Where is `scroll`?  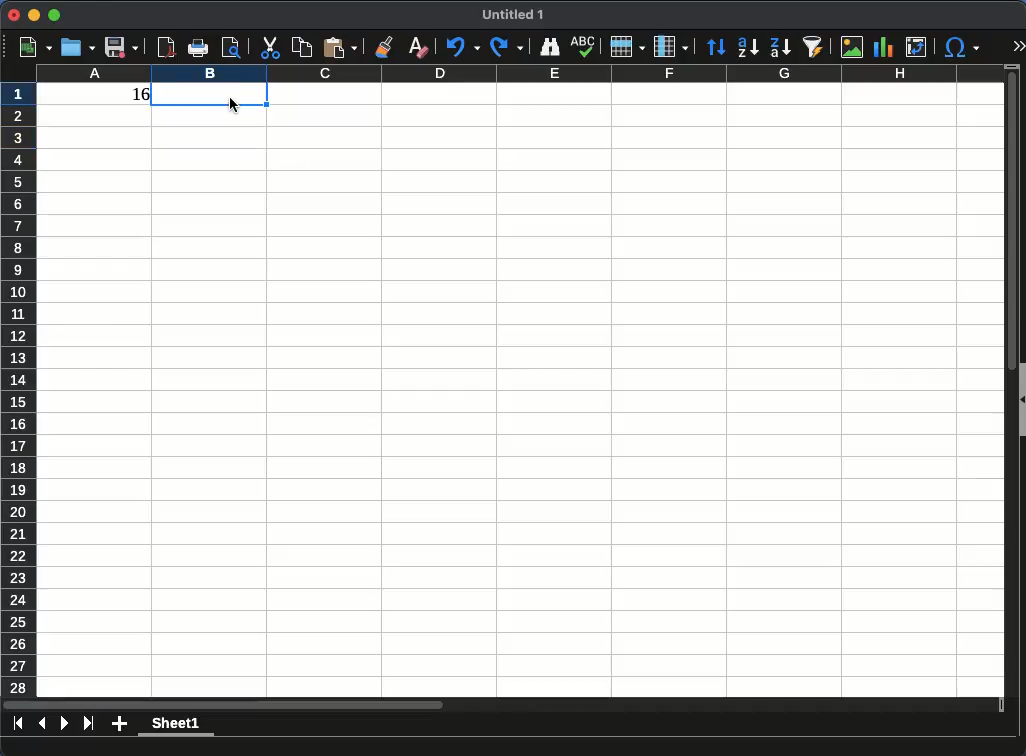
scroll is located at coordinates (506, 706).